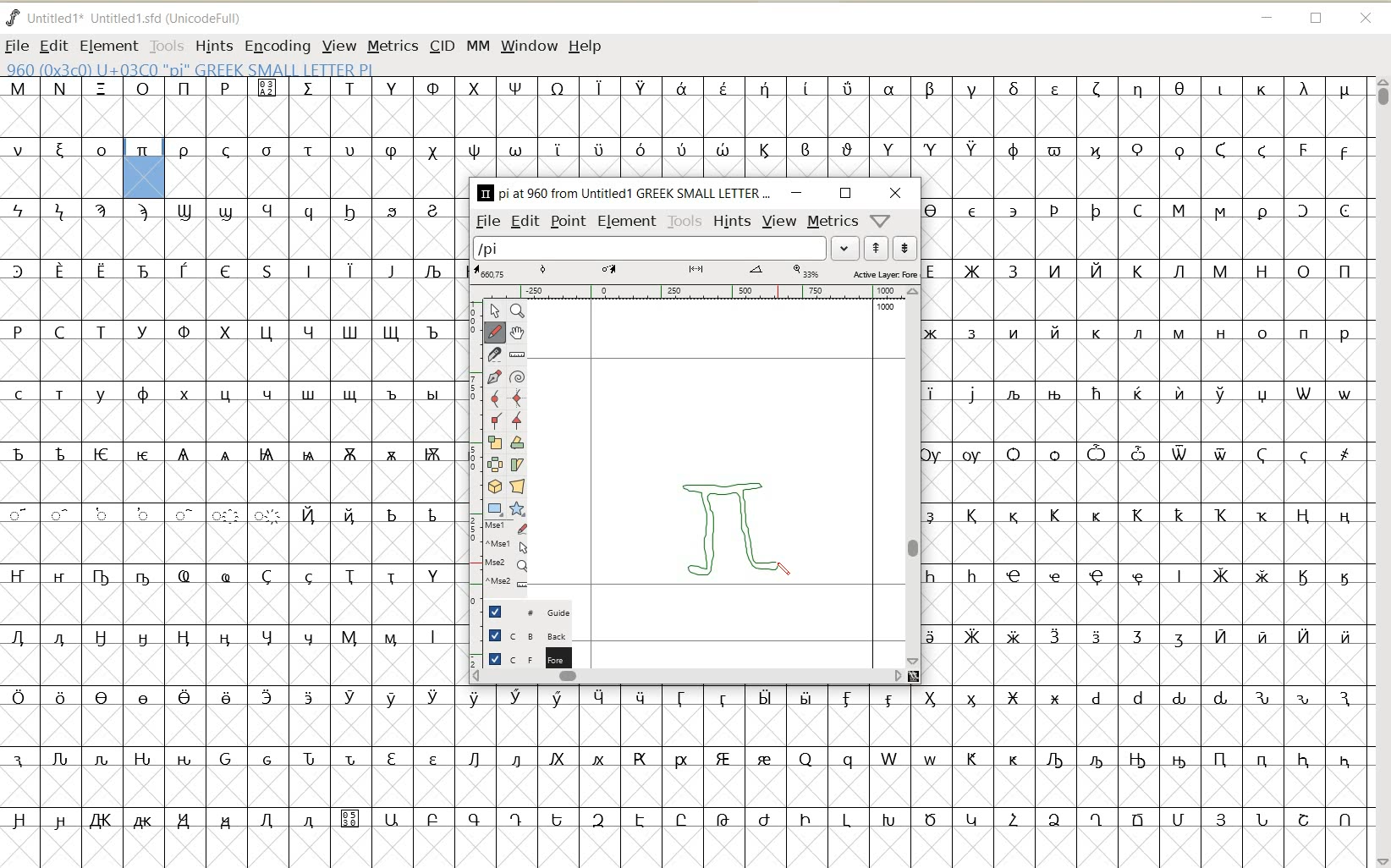  I want to click on VIEW, so click(339, 45).